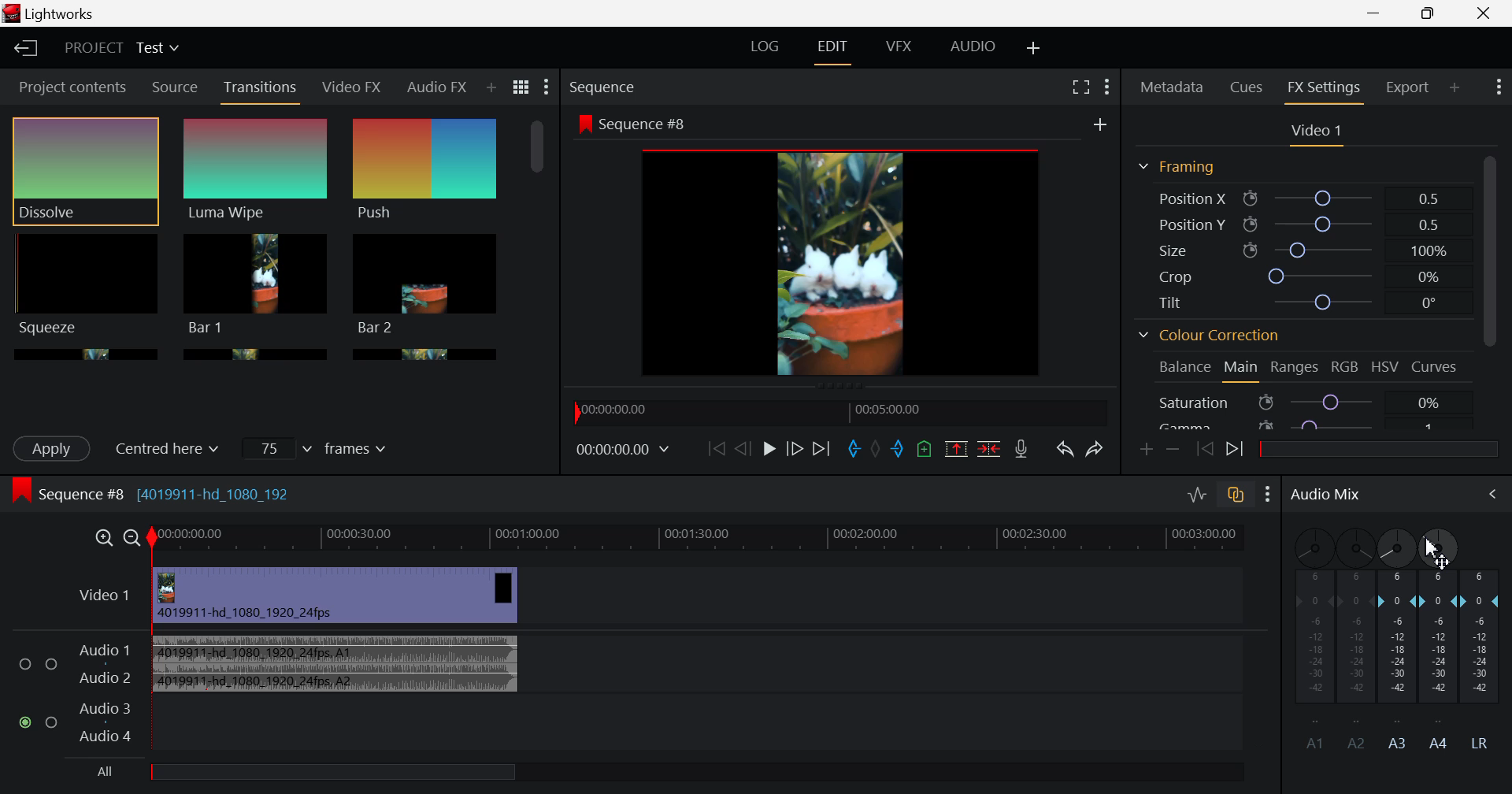 The width and height of the screenshot is (1512, 794). What do you see at coordinates (1484, 495) in the screenshot?
I see `Cursor on Audio Mix` at bounding box center [1484, 495].